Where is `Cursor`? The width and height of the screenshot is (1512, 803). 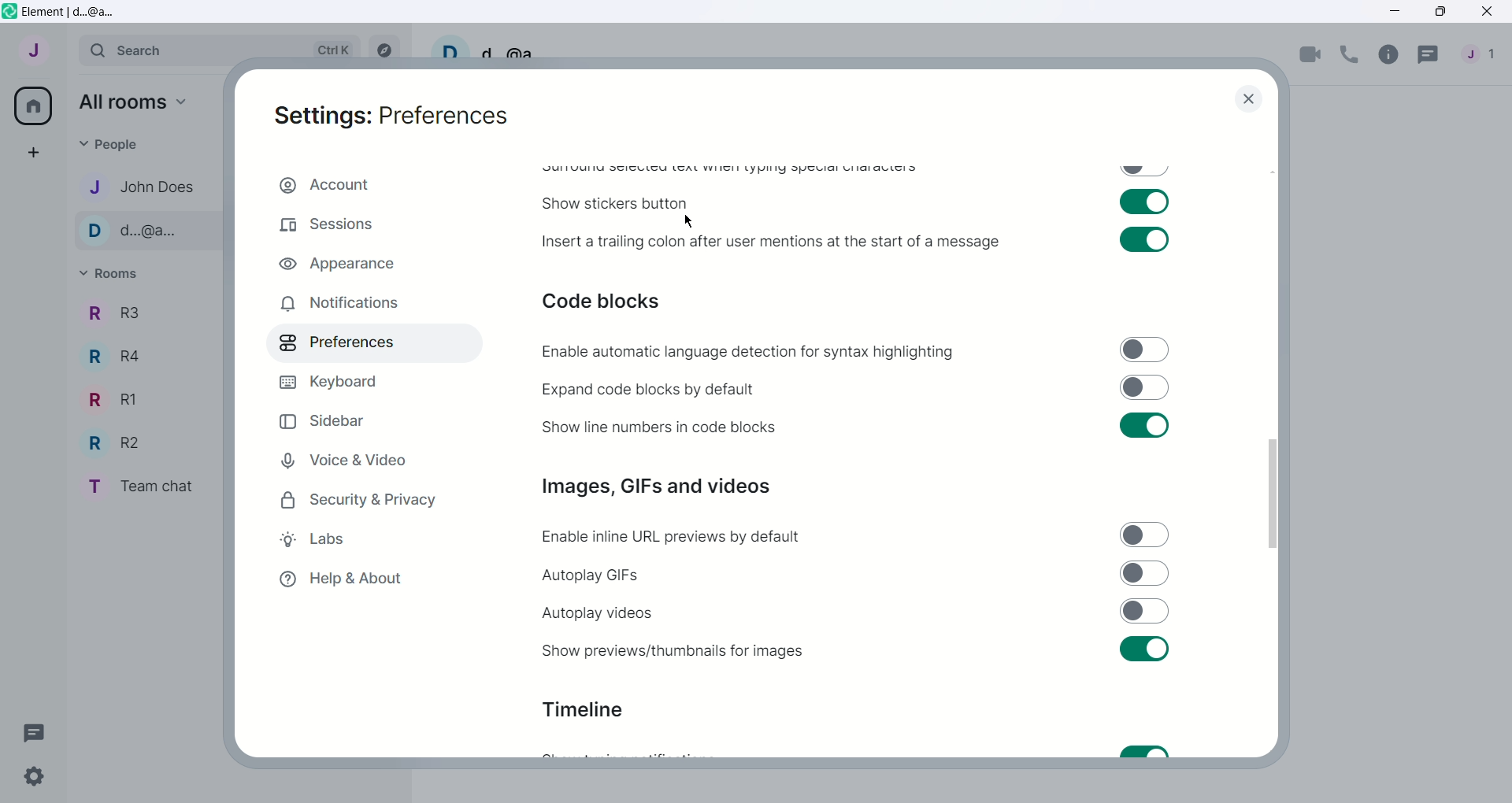 Cursor is located at coordinates (688, 222).